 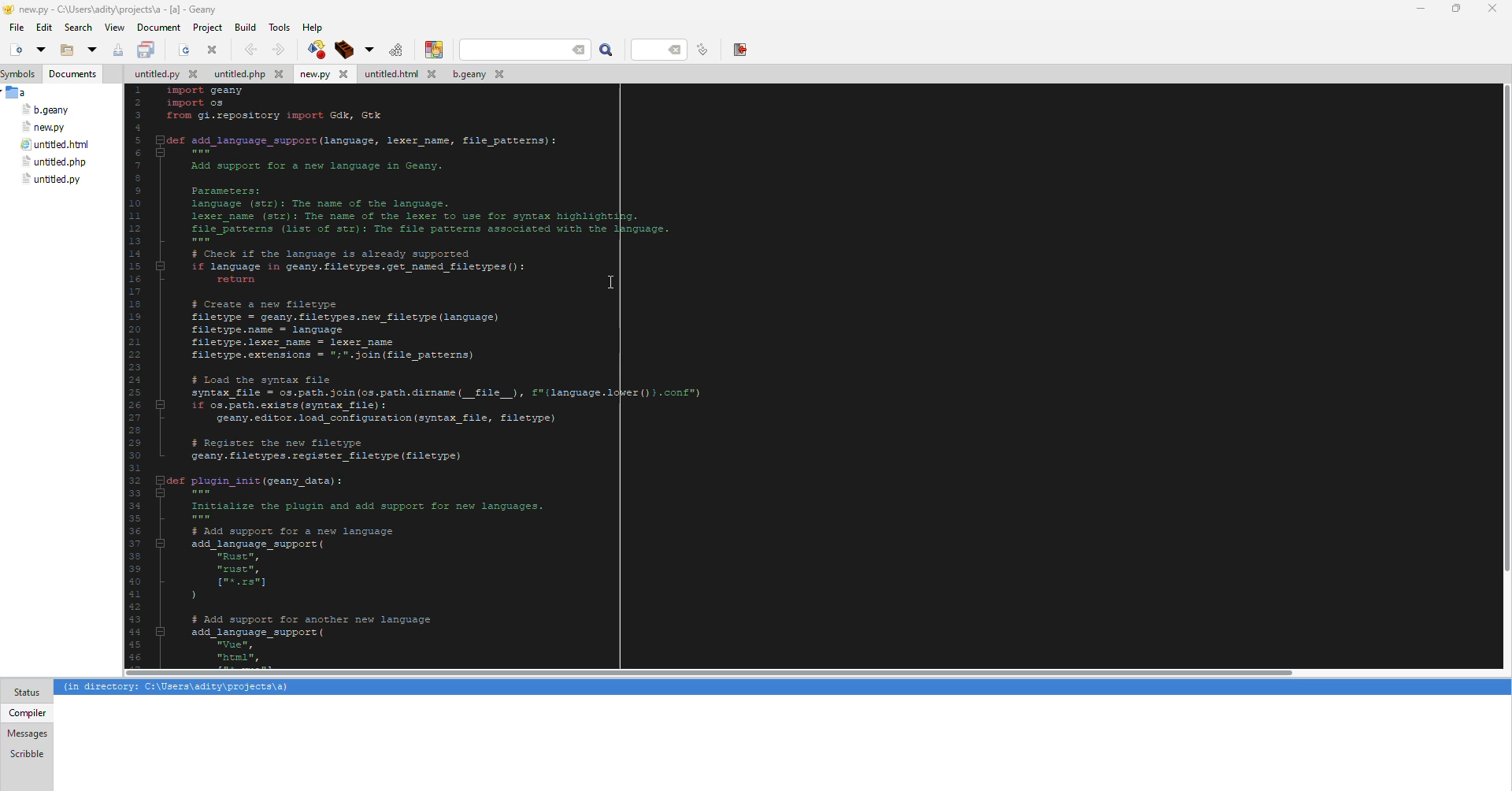 What do you see at coordinates (280, 50) in the screenshot?
I see `forward` at bounding box center [280, 50].